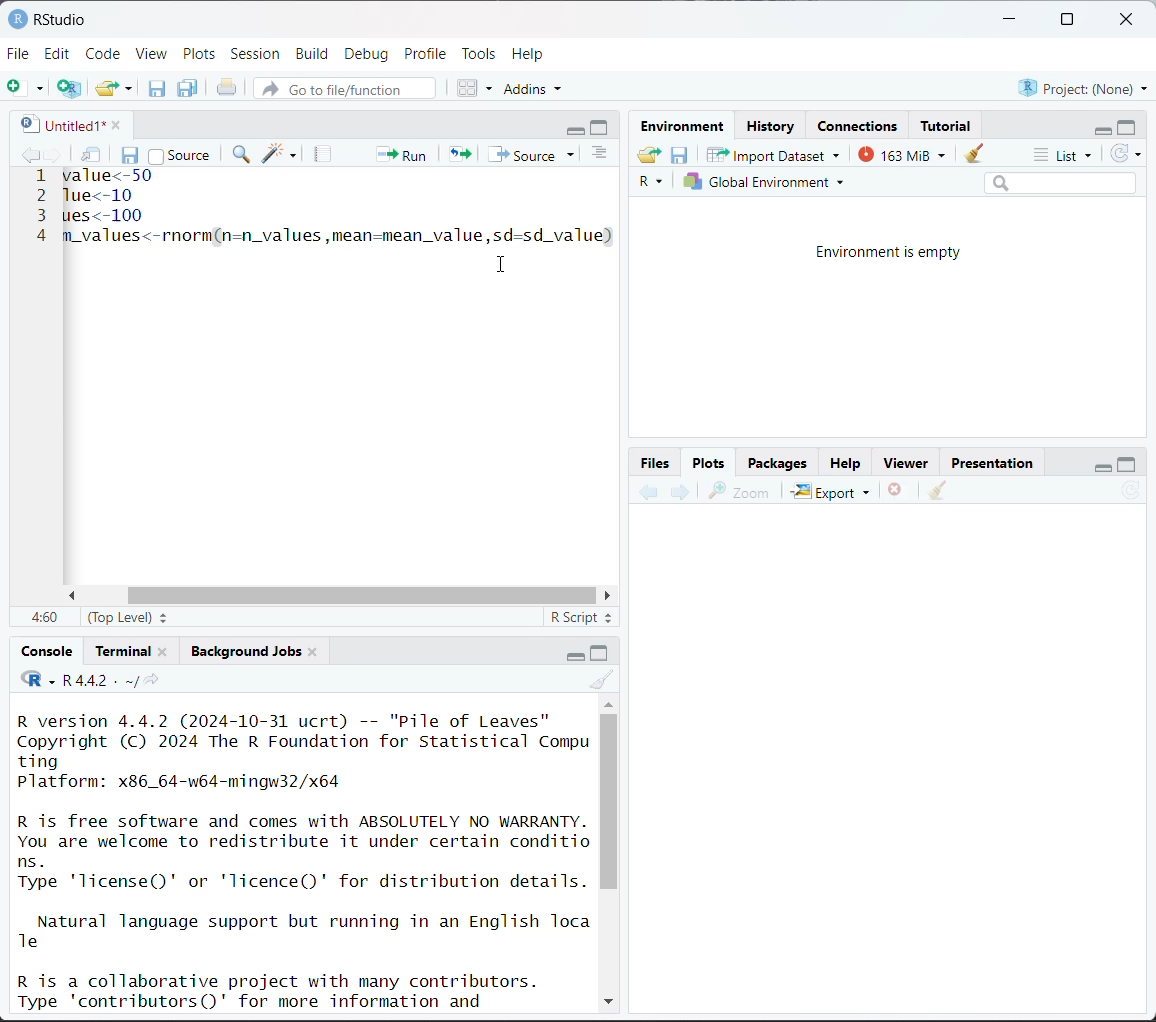 Image resolution: width=1156 pixels, height=1022 pixels. I want to click on Global environment, so click(765, 182).